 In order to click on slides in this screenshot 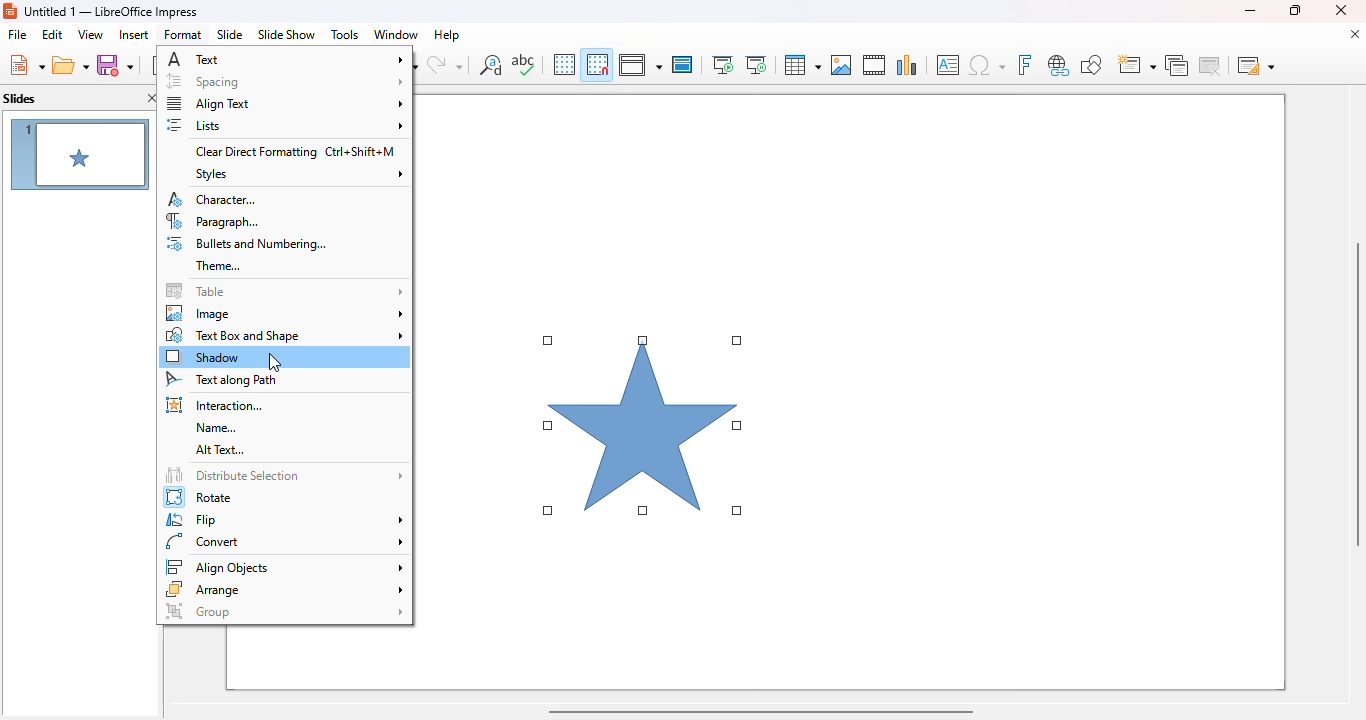, I will do `click(20, 99)`.